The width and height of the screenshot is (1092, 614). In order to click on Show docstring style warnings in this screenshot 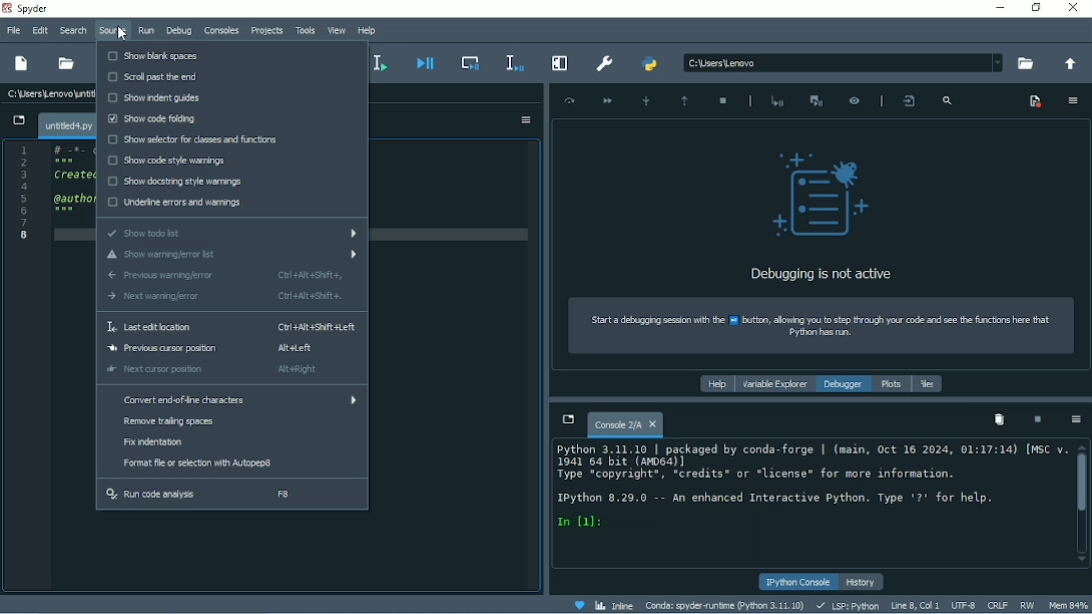, I will do `click(230, 182)`.